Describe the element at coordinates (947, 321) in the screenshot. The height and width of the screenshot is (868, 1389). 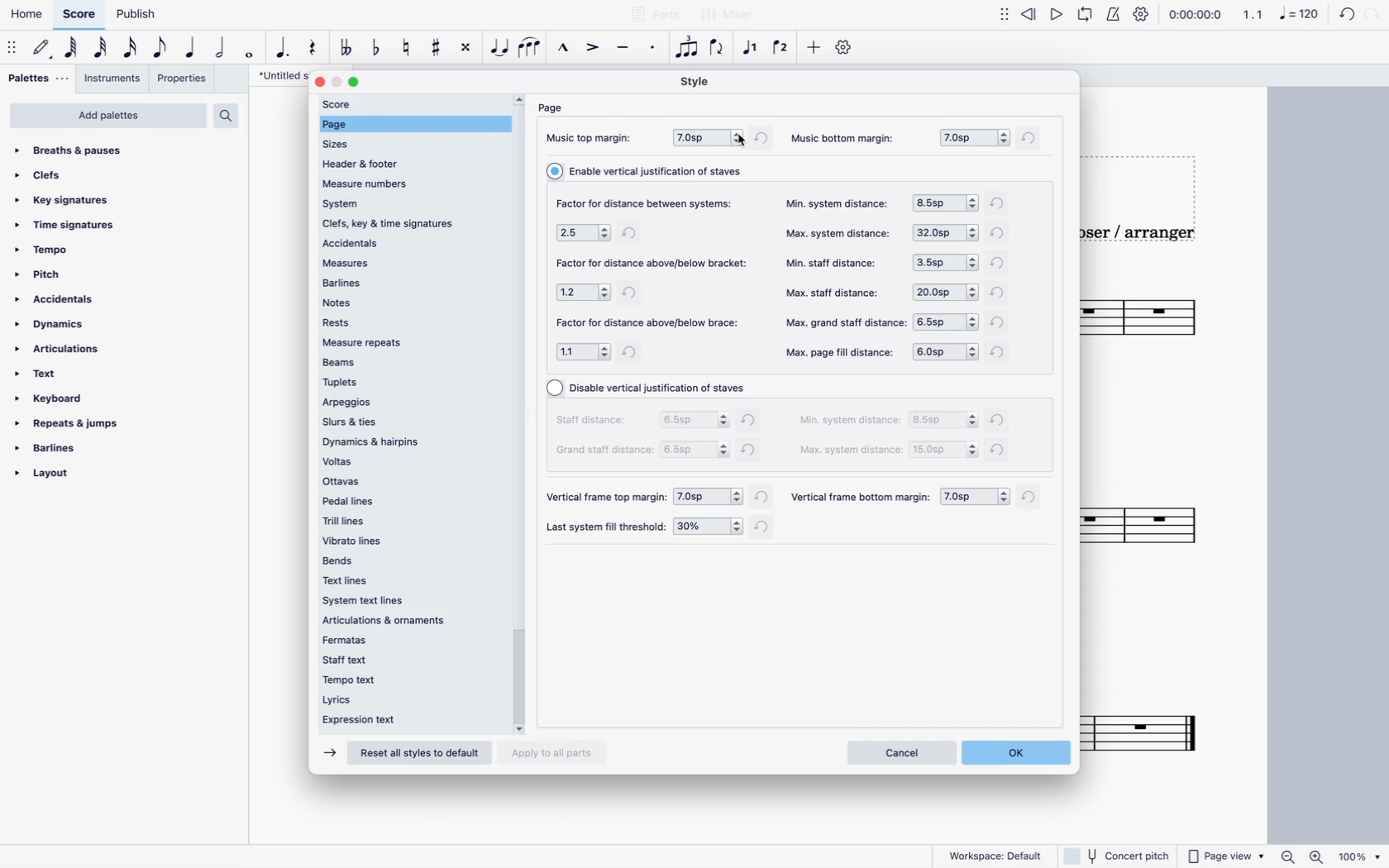
I see `options` at that location.